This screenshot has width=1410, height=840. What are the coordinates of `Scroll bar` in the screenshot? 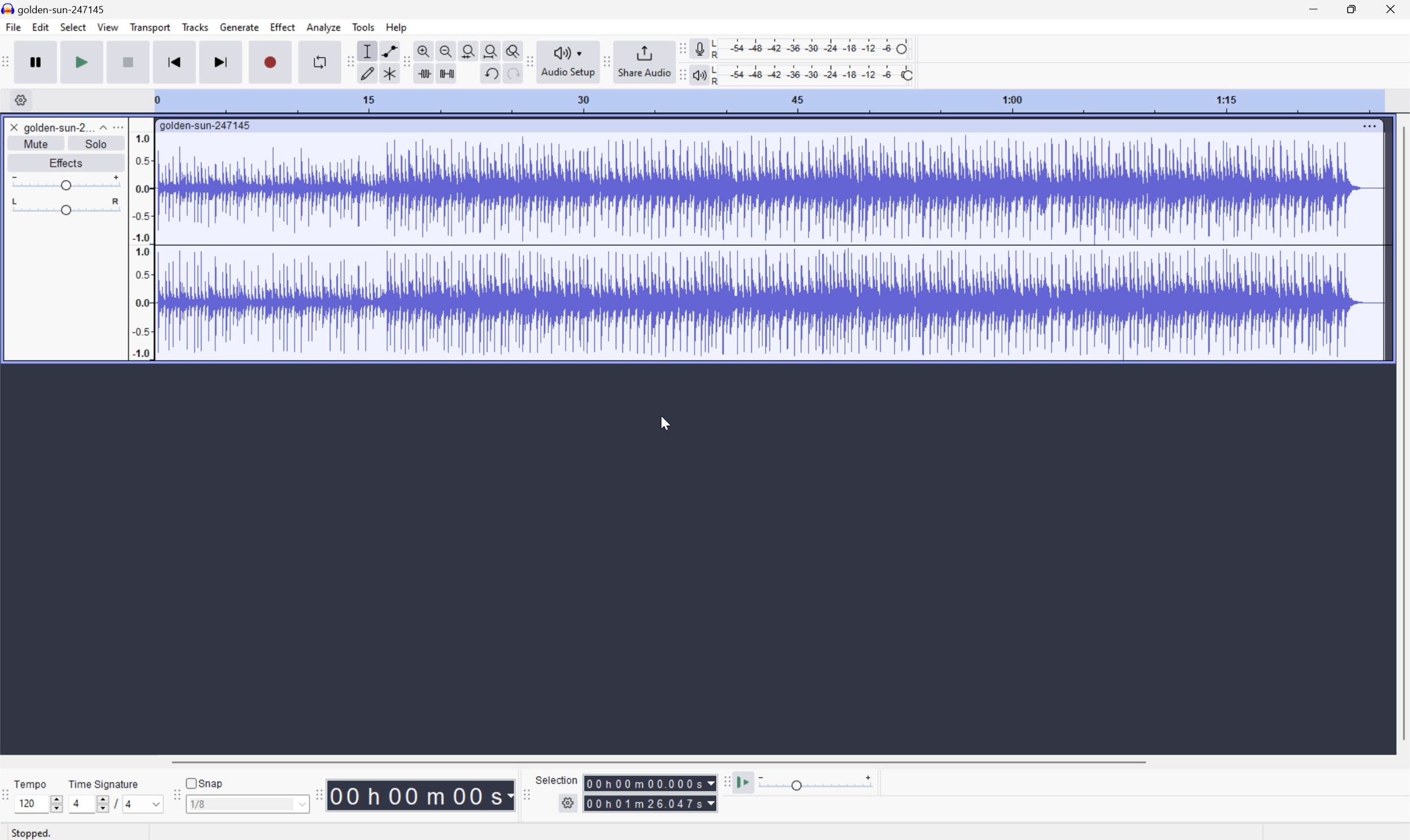 It's located at (665, 760).